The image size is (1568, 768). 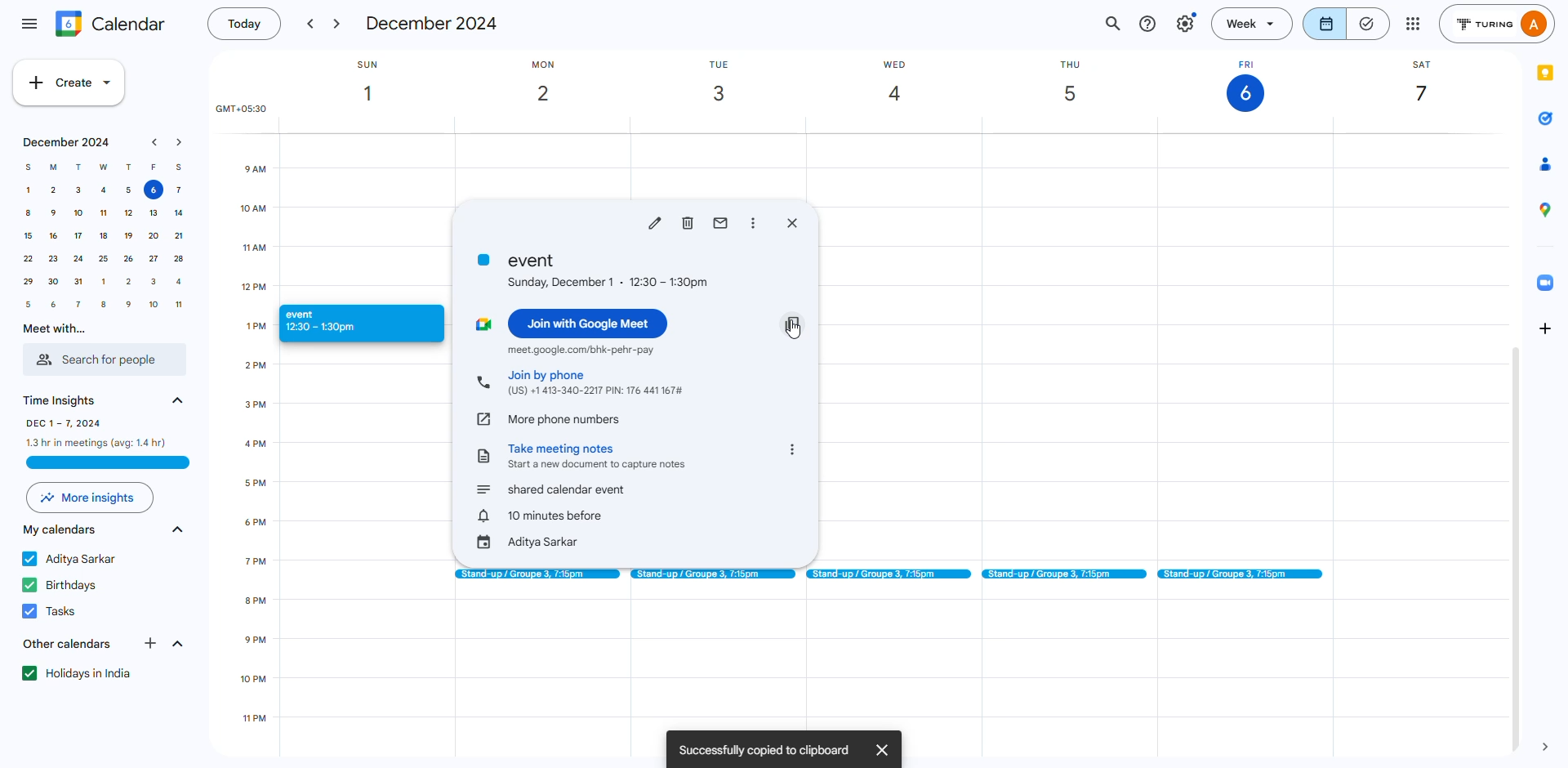 What do you see at coordinates (79, 284) in the screenshot?
I see `21` at bounding box center [79, 284].